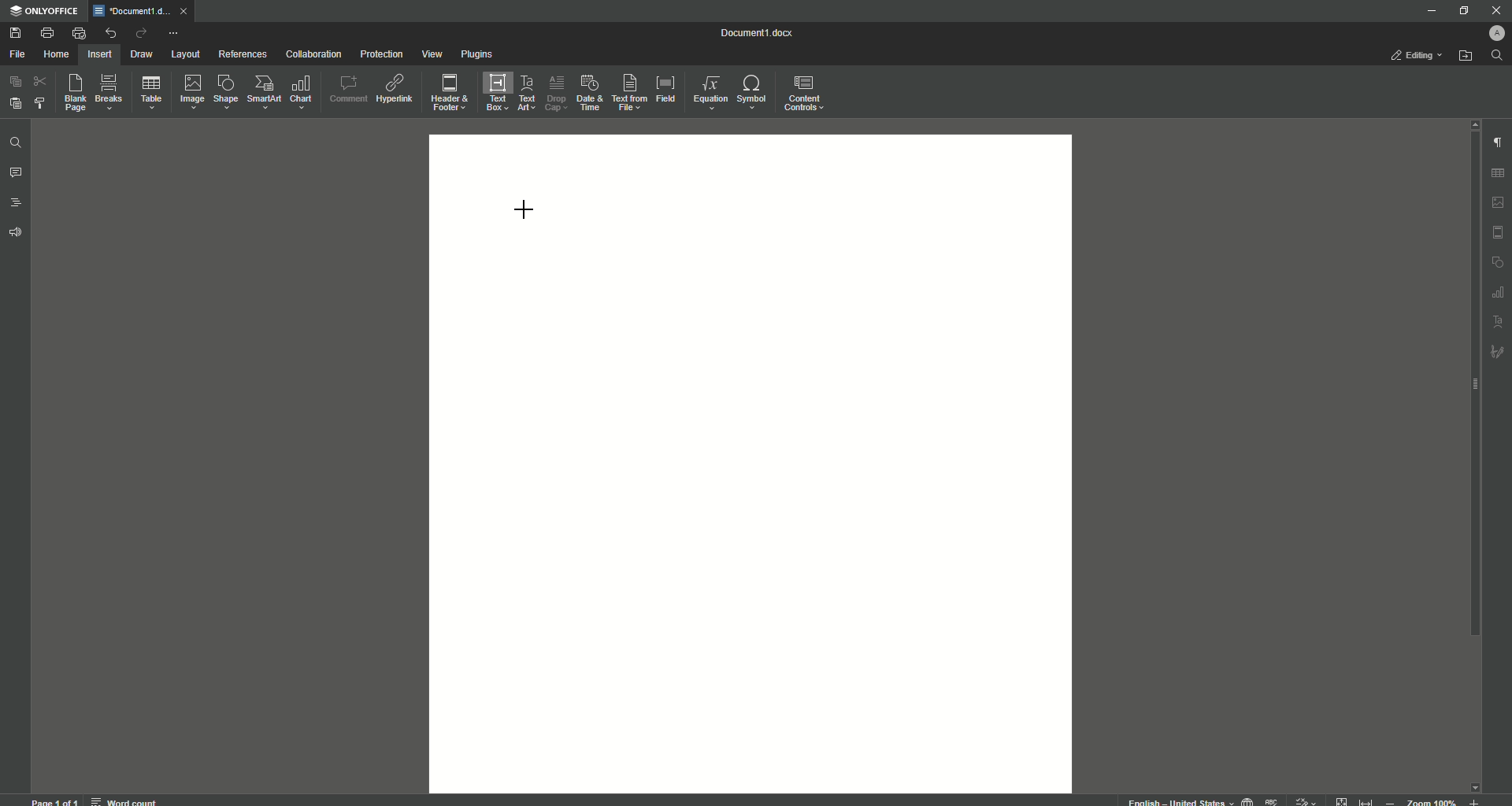  What do you see at coordinates (15, 144) in the screenshot?
I see `Find` at bounding box center [15, 144].